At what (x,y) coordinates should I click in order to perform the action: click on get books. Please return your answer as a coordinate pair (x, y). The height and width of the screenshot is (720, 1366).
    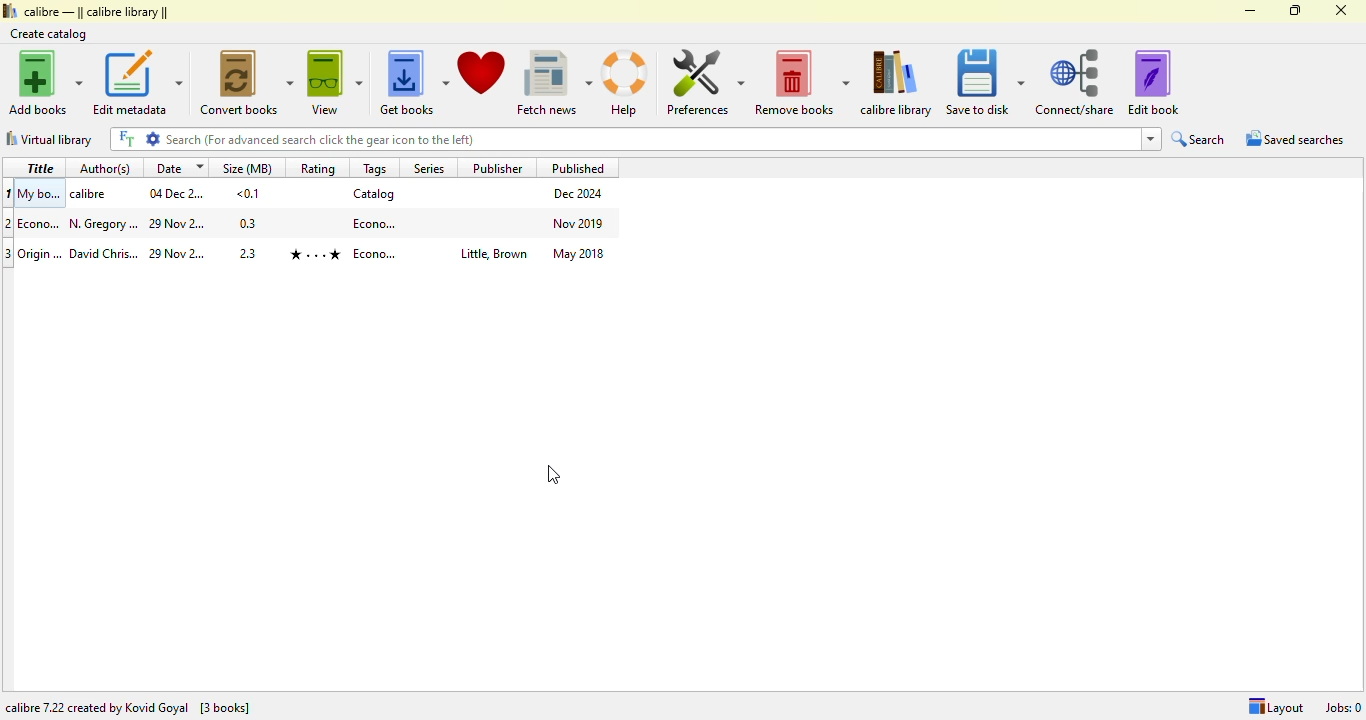
    Looking at the image, I should click on (413, 82).